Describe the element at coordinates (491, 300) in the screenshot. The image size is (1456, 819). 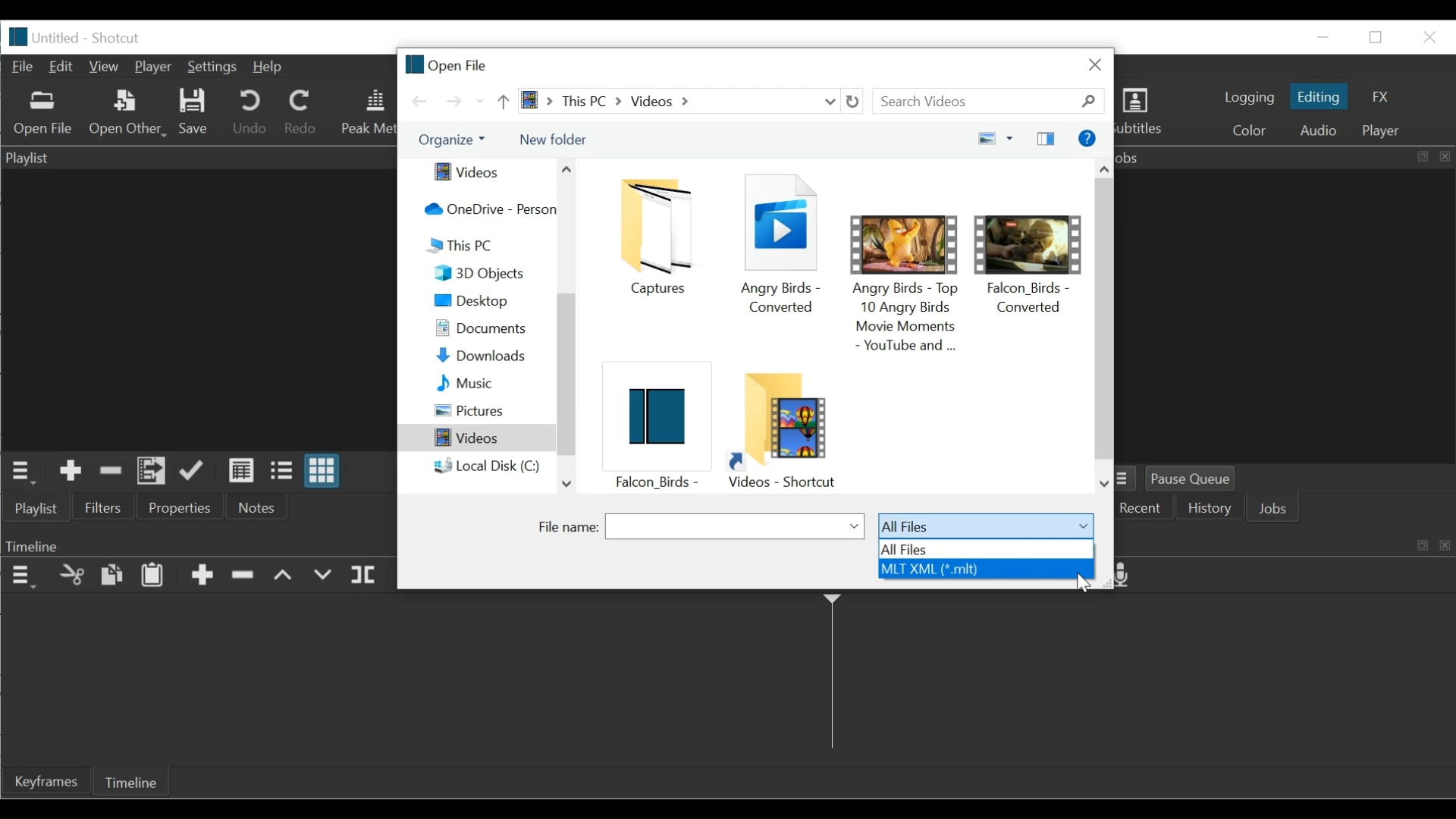
I see `Desktop` at that location.